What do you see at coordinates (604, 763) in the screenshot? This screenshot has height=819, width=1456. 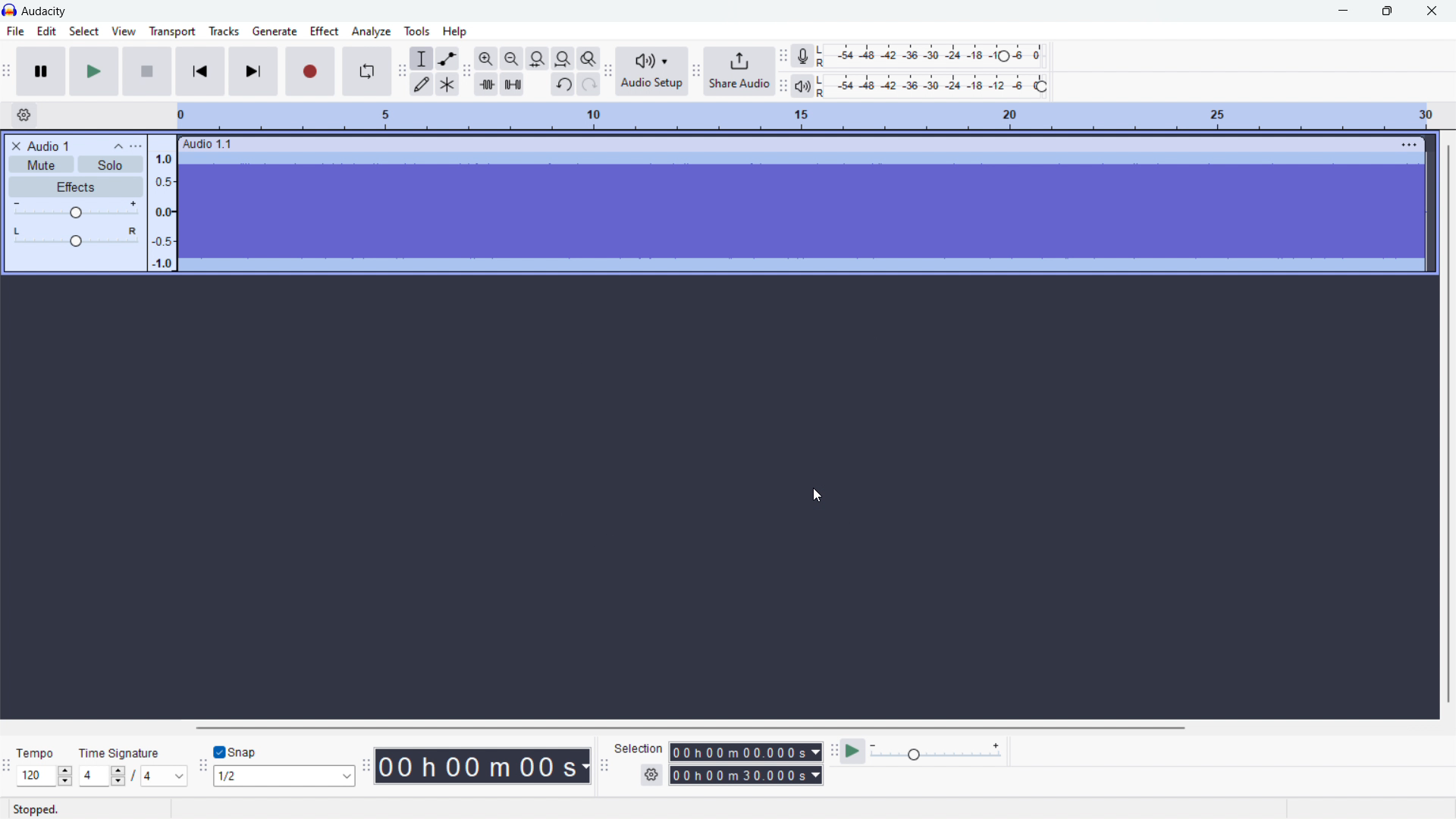 I see `selection toolbar` at bounding box center [604, 763].